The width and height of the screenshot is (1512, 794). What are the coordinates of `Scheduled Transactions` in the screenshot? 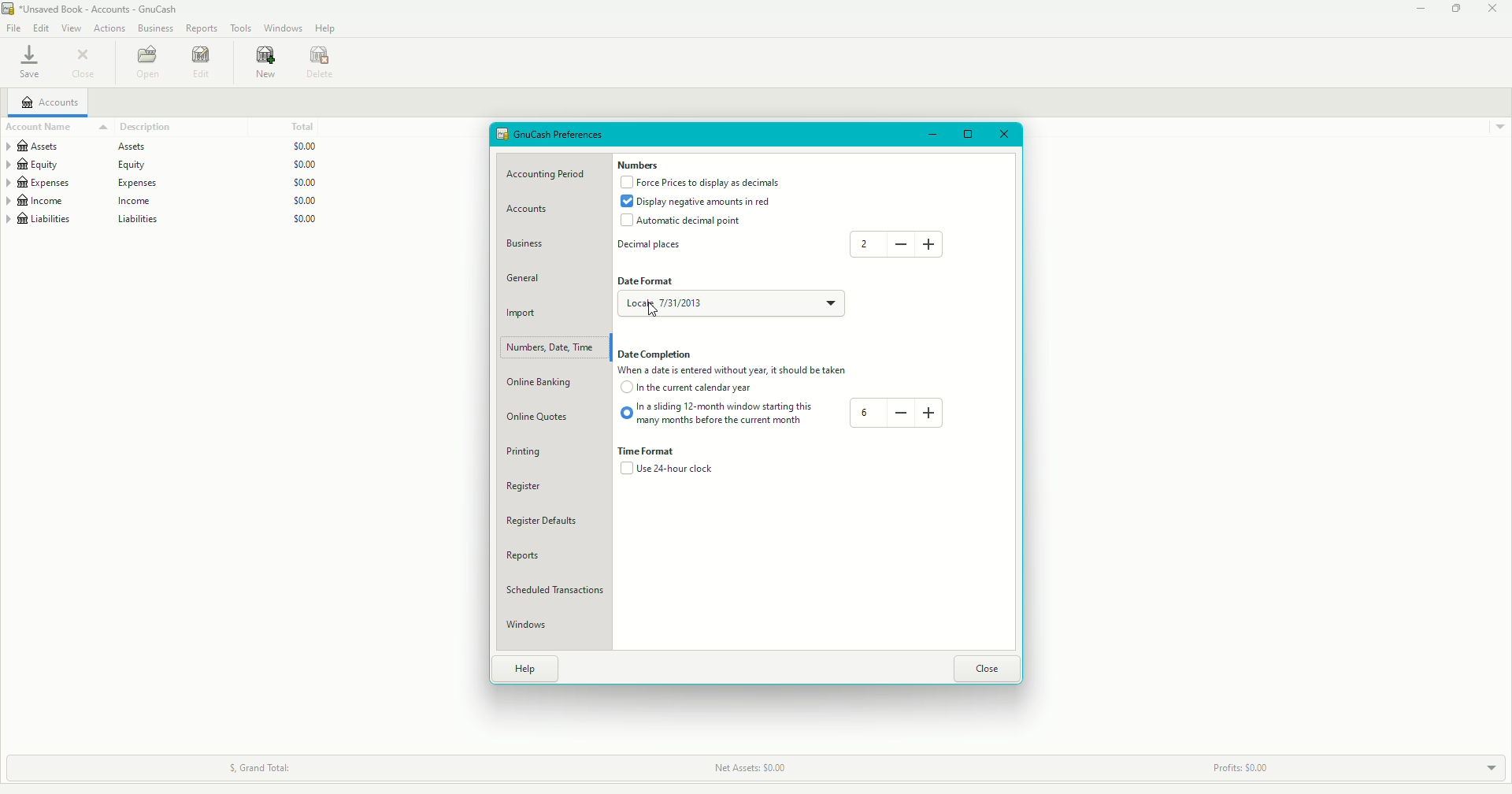 It's located at (561, 591).